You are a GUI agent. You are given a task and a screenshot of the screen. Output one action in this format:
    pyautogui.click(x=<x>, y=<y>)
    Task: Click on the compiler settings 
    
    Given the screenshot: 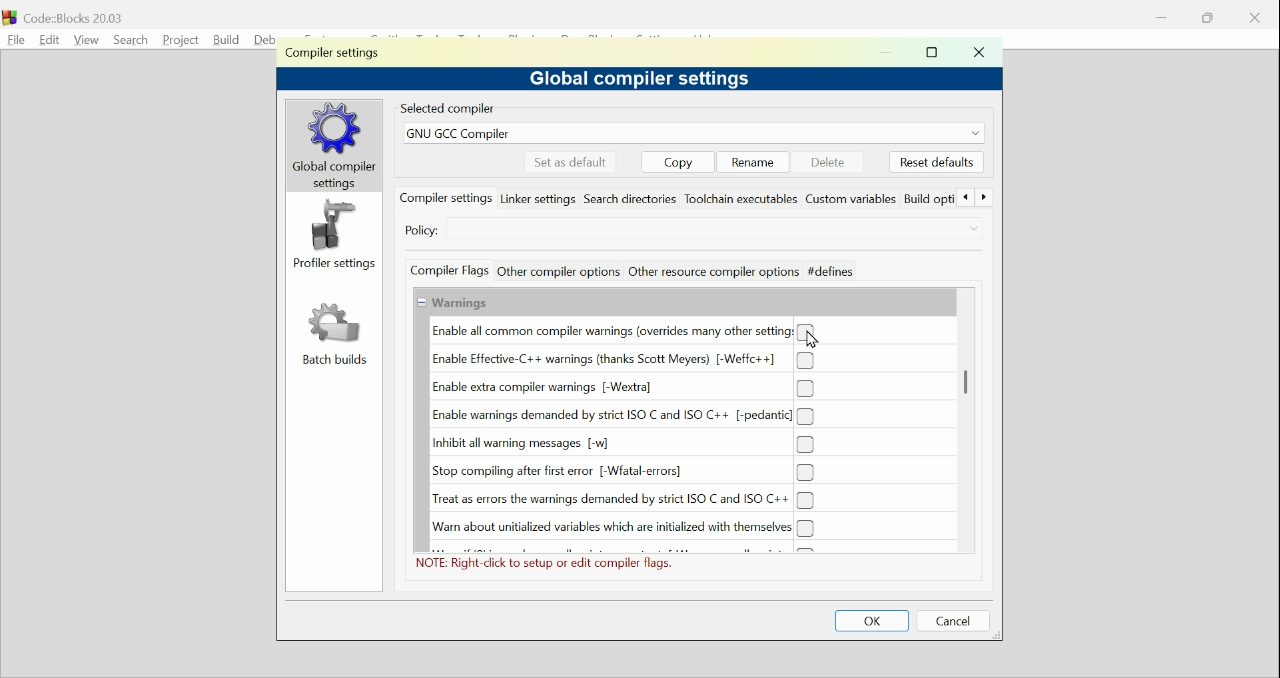 What is the action you would take?
    pyautogui.click(x=446, y=198)
    